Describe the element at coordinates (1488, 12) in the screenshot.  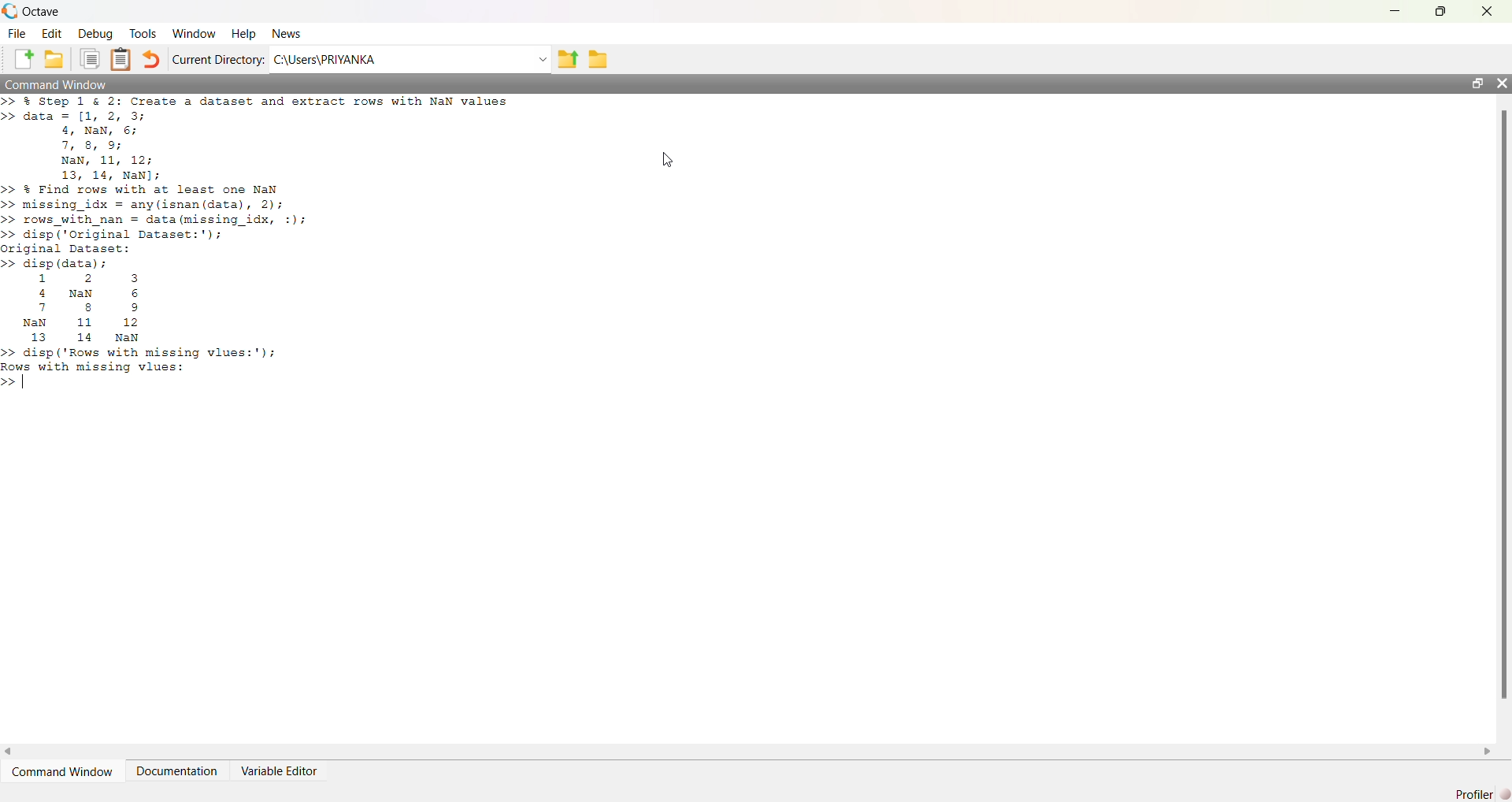
I see `close` at that location.